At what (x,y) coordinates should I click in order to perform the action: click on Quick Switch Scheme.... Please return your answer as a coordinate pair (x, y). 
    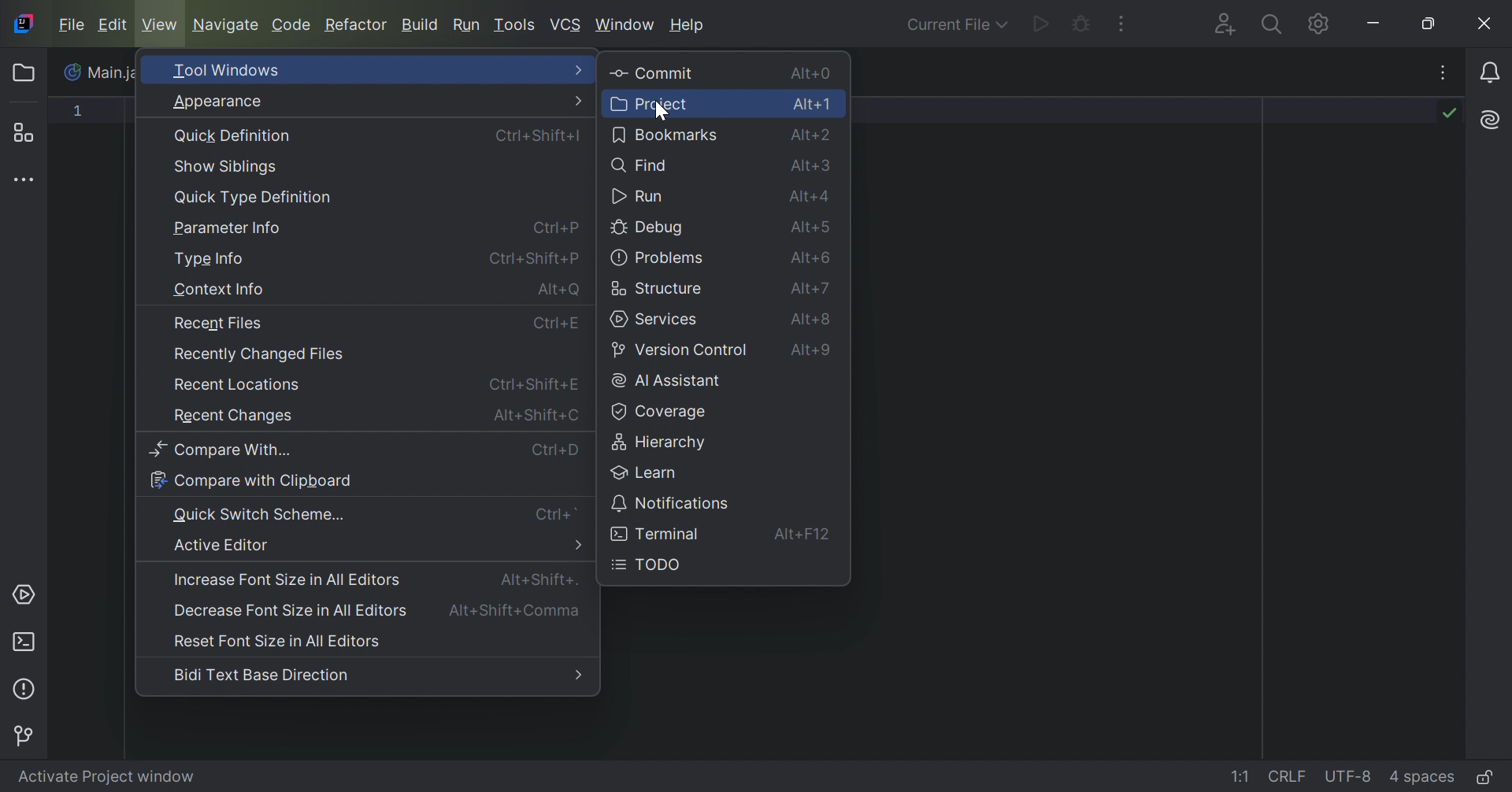
    Looking at the image, I should click on (259, 513).